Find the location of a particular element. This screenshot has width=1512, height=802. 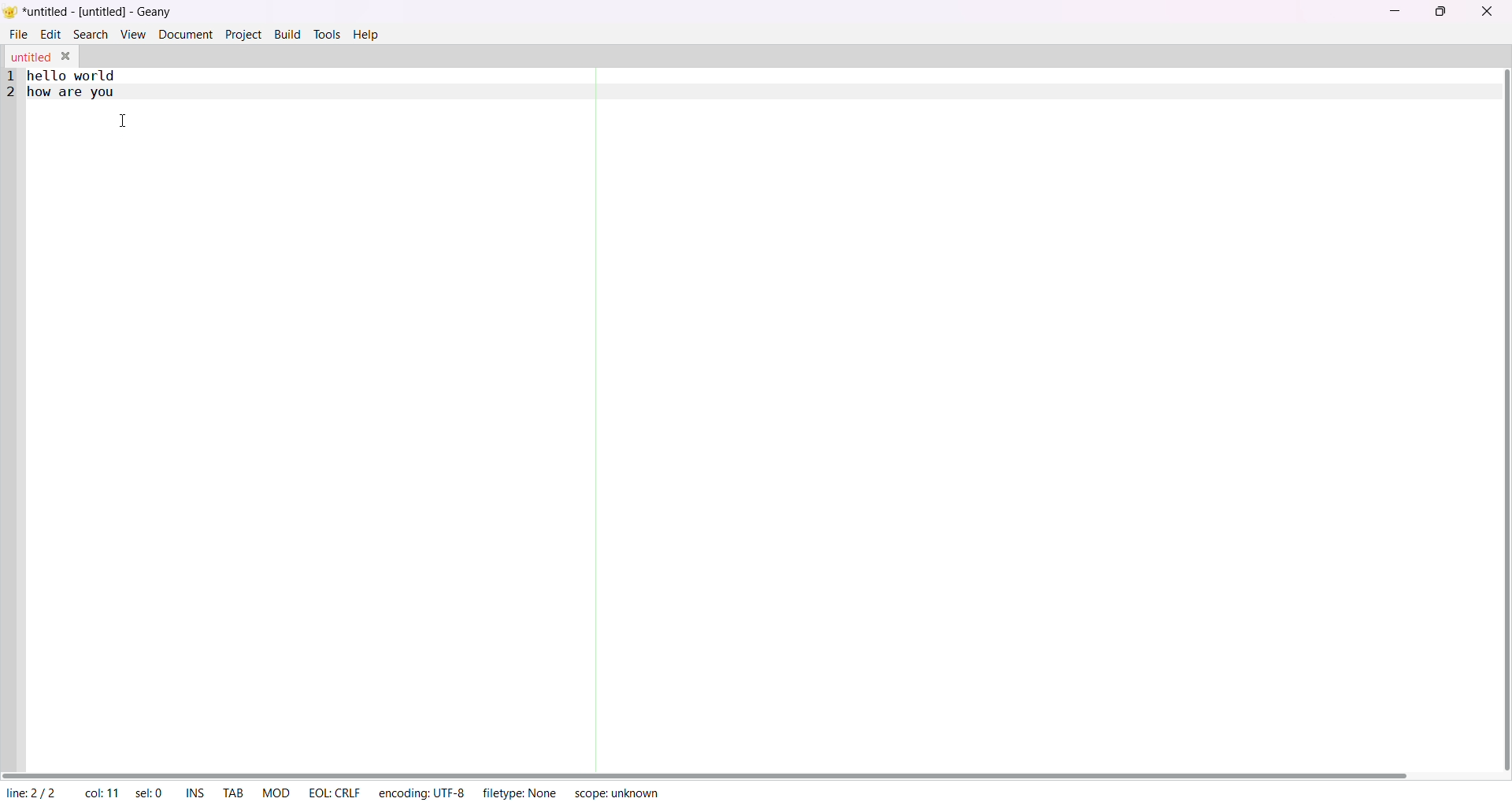

minimize is located at coordinates (1392, 13).